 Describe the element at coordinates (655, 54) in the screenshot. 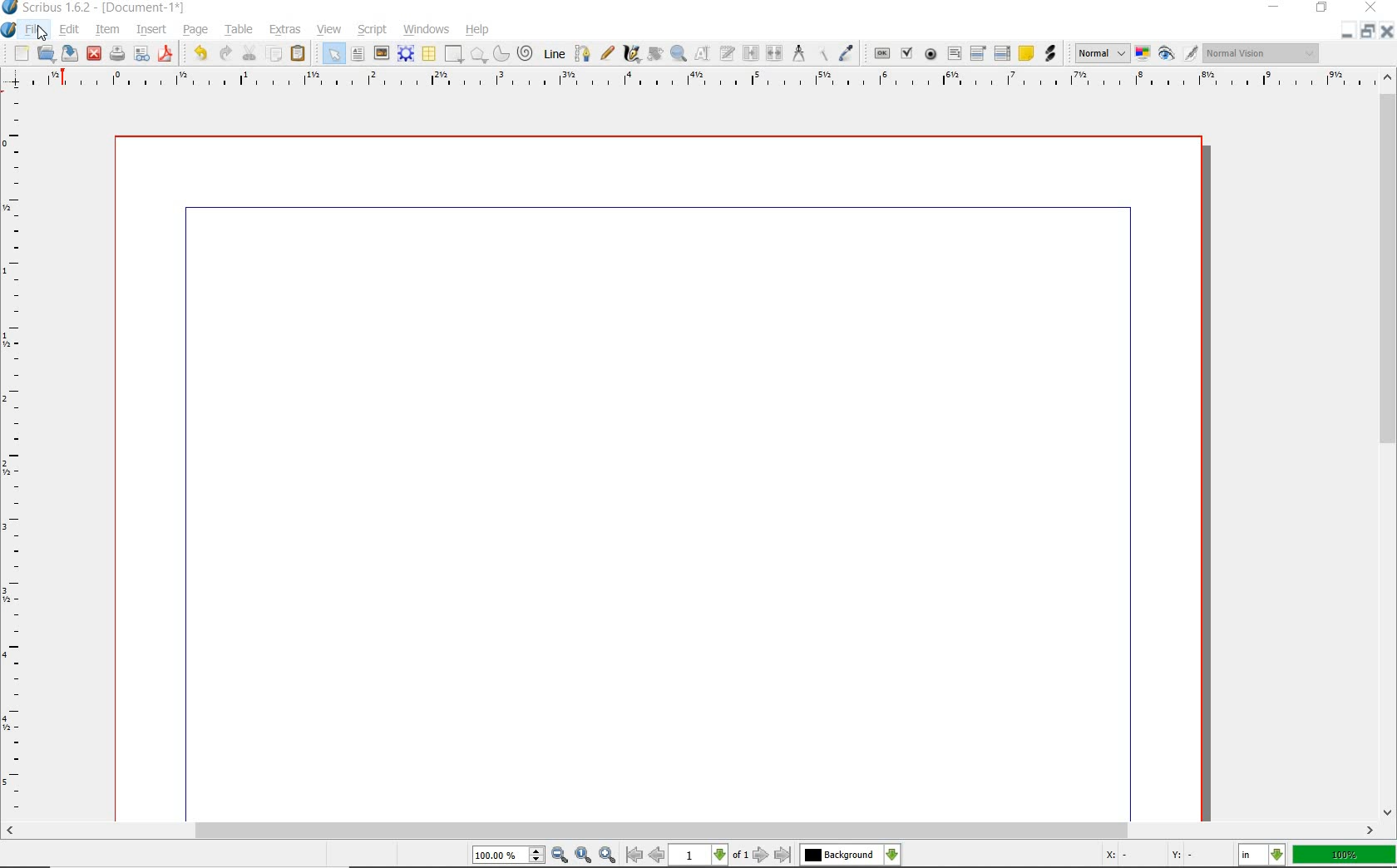

I see `rotate item` at that location.